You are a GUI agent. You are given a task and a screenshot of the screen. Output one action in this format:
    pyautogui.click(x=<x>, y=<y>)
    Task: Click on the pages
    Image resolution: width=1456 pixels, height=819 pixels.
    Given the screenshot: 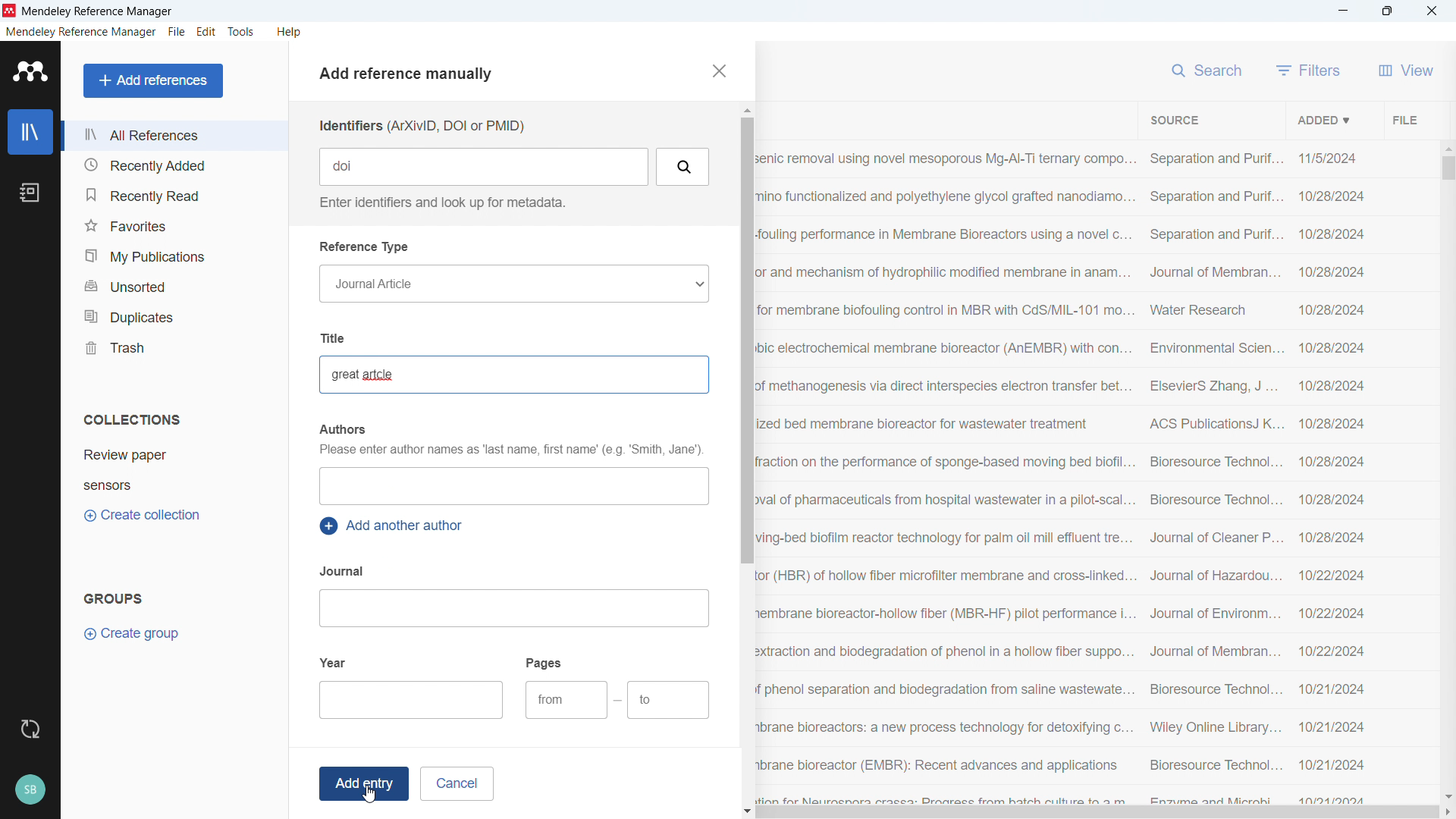 What is the action you would take?
    pyautogui.click(x=545, y=662)
    